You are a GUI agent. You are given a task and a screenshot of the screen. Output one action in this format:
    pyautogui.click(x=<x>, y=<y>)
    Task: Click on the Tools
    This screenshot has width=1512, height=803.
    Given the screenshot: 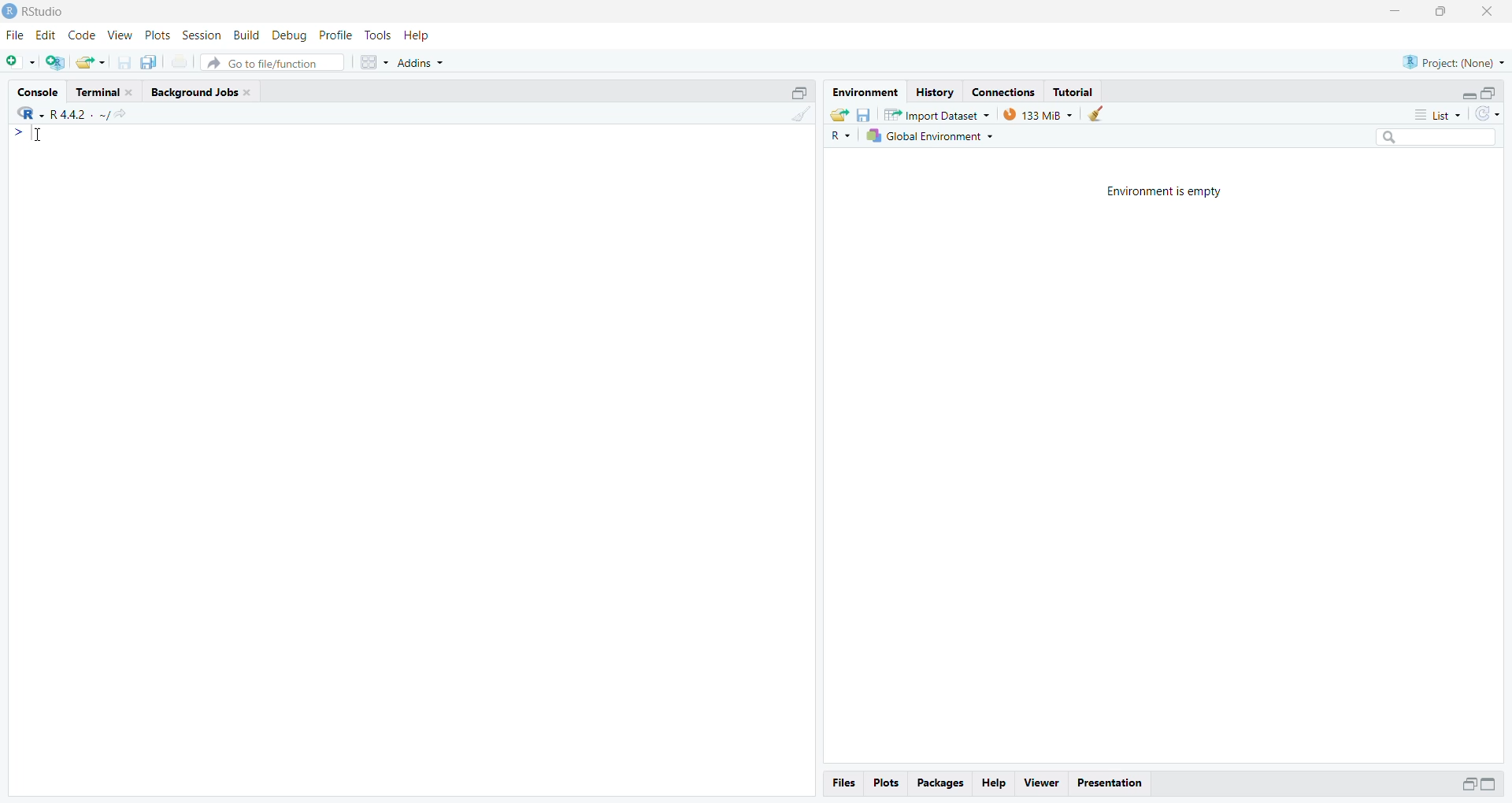 What is the action you would take?
    pyautogui.click(x=378, y=35)
    